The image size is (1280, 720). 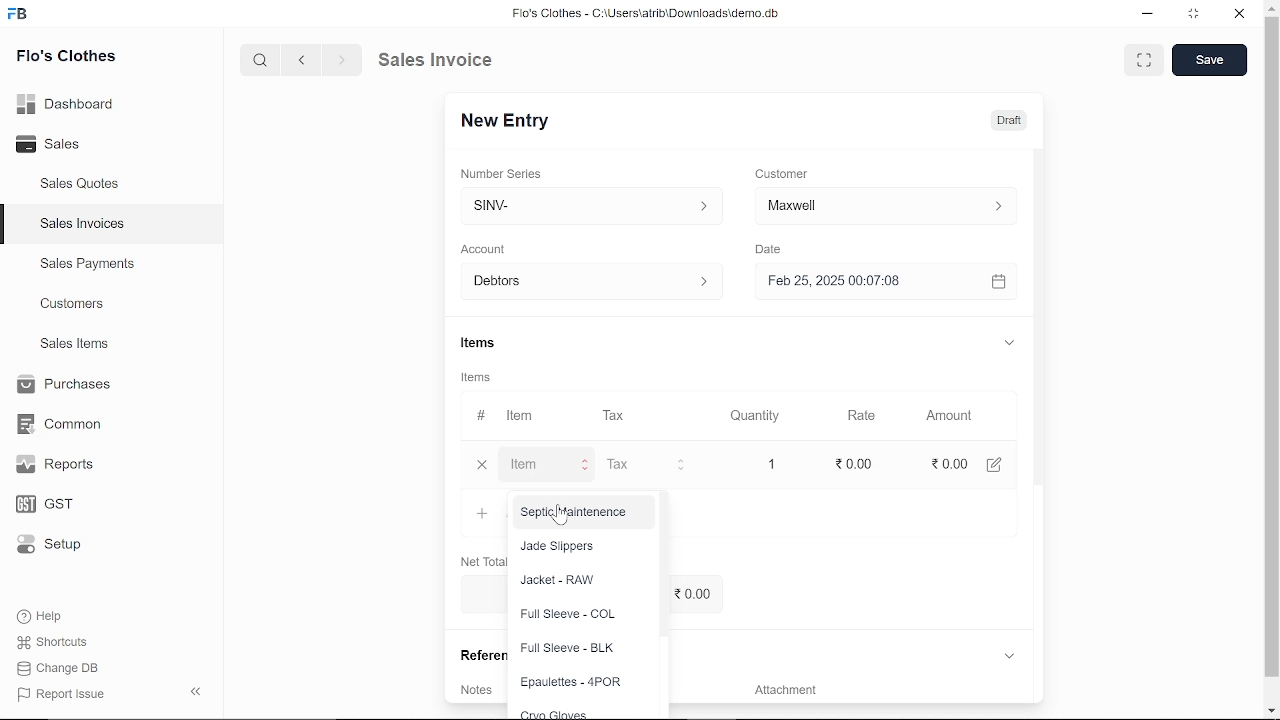 I want to click on Sales, so click(x=57, y=142).